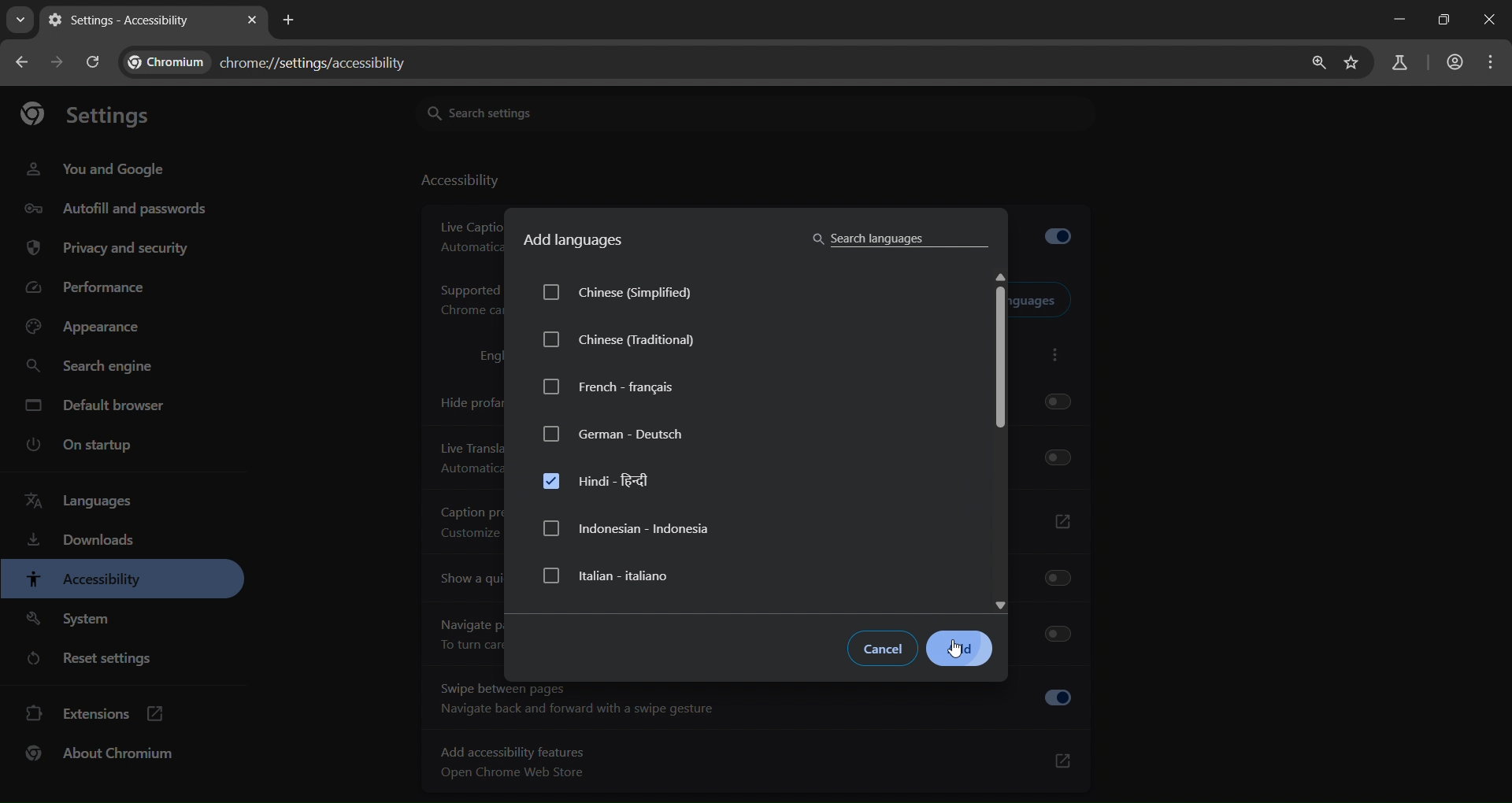  Describe the element at coordinates (97, 659) in the screenshot. I see `reset settings` at that location.